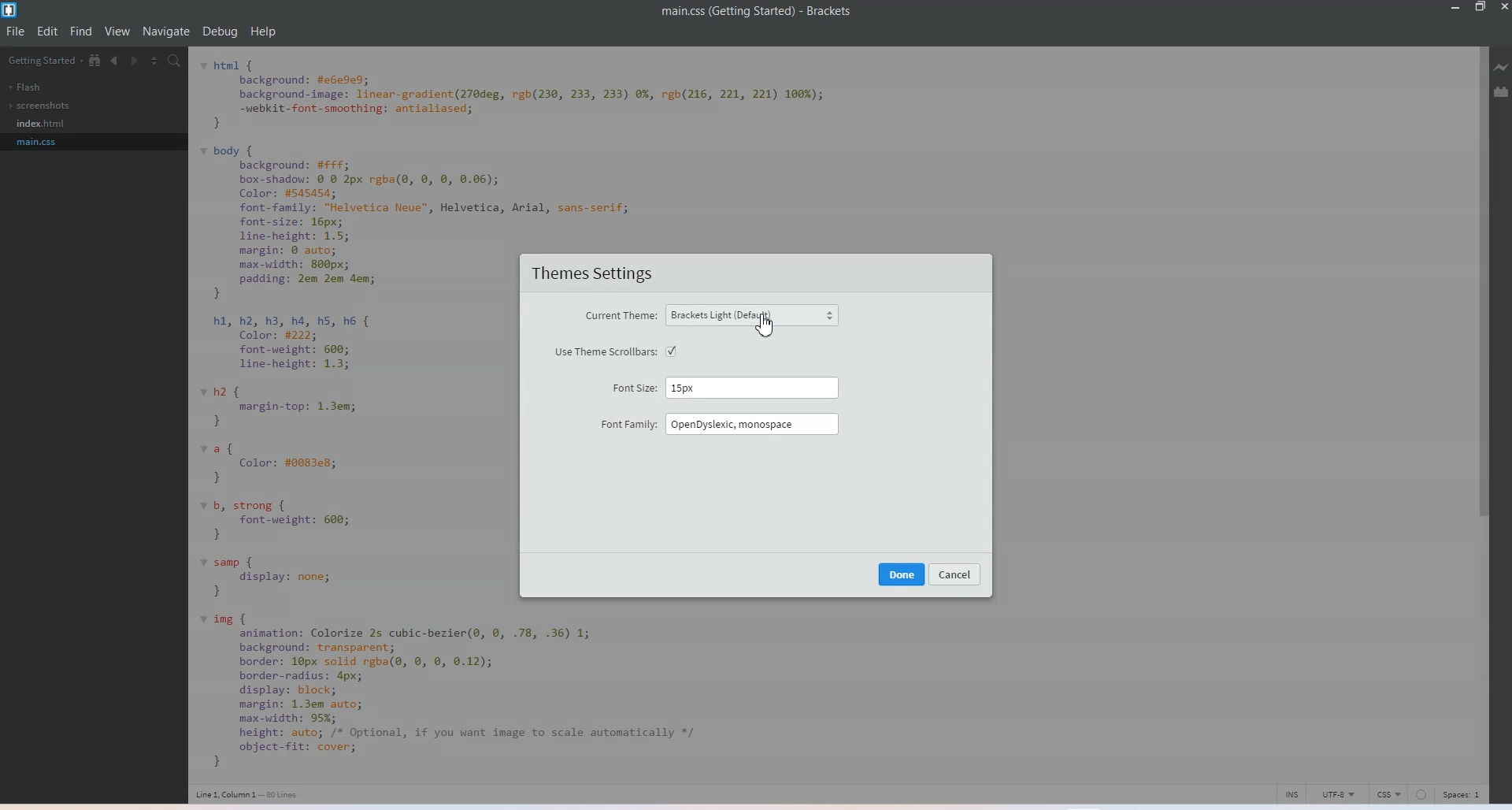 The width and height of the screenshot is (1512, 810). What do you see at coordinates (1339, 793) in the screenshot?
I see `UTF-8` at bounding box center [1339, 793].